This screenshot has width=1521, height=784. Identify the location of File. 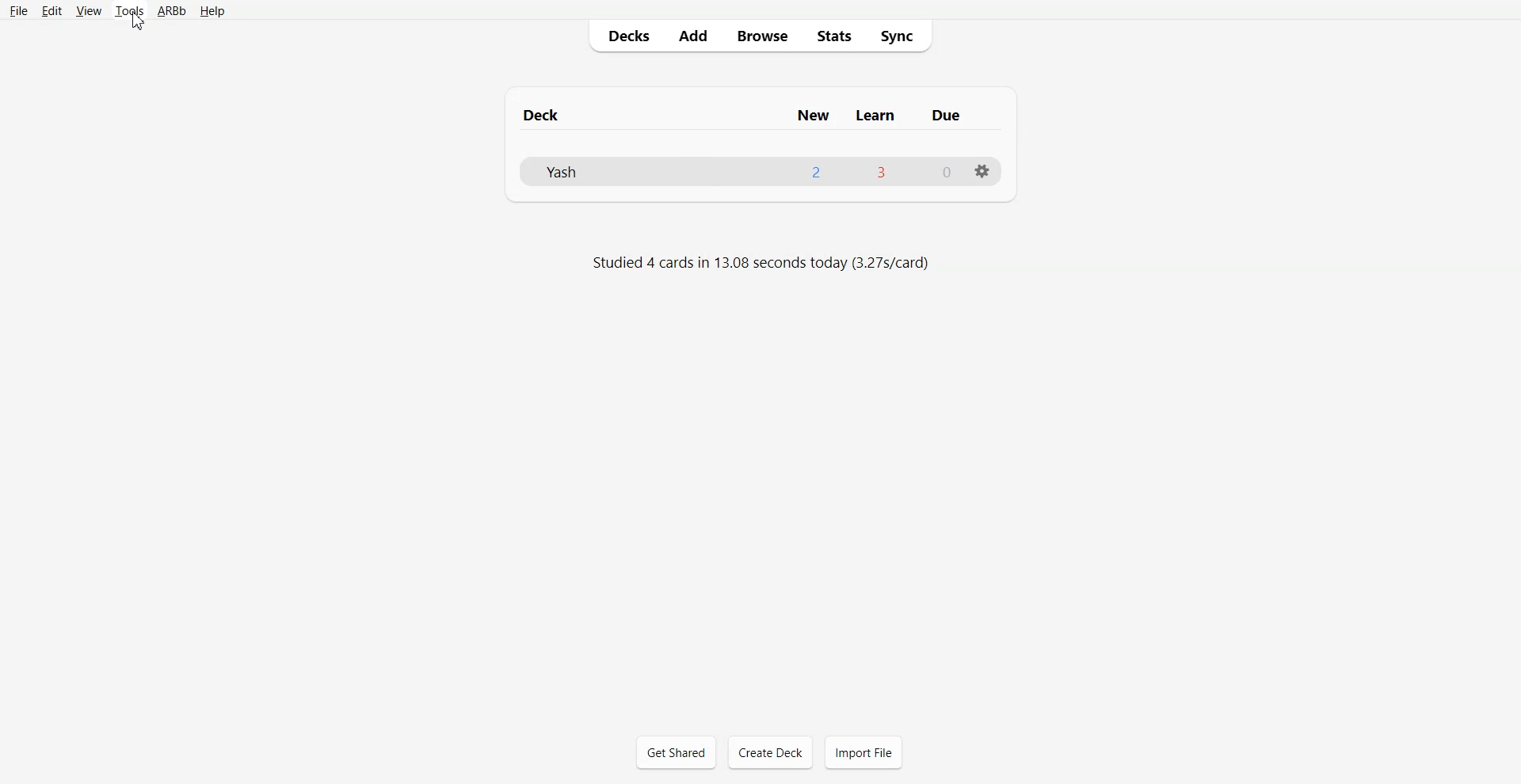
(18, 10).